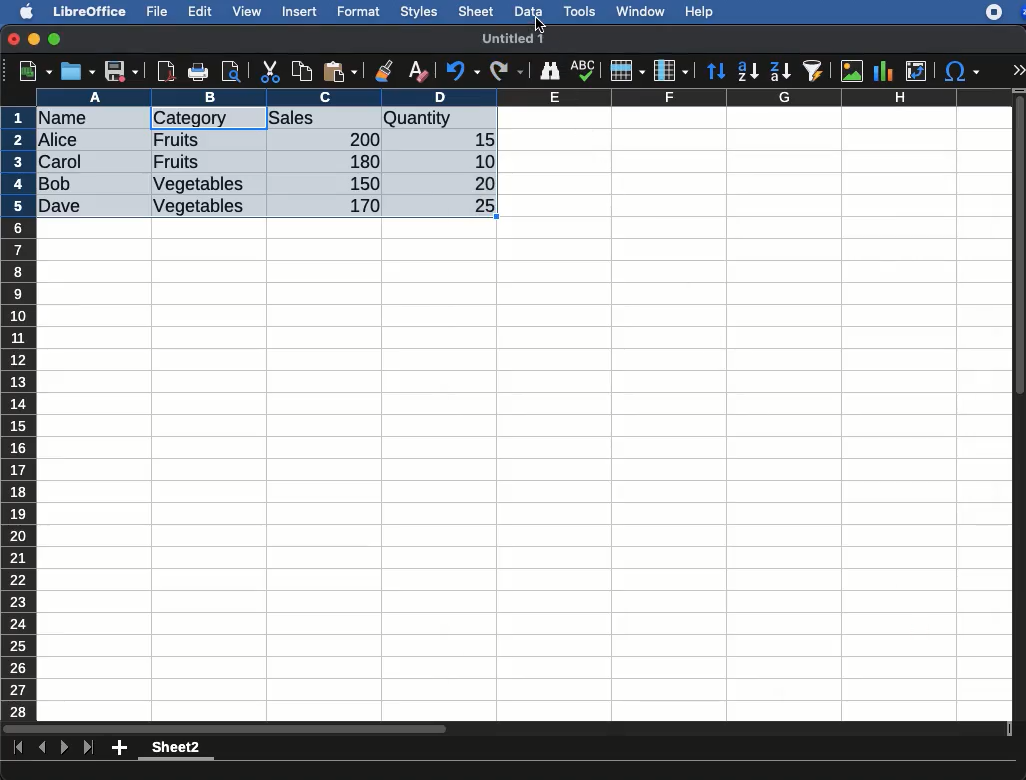 The height and width of the screenshot is (780, 1026). What do you see at coordinates (477, 204) in the screenshot?
I see `25` at bounding box center [477, 204].